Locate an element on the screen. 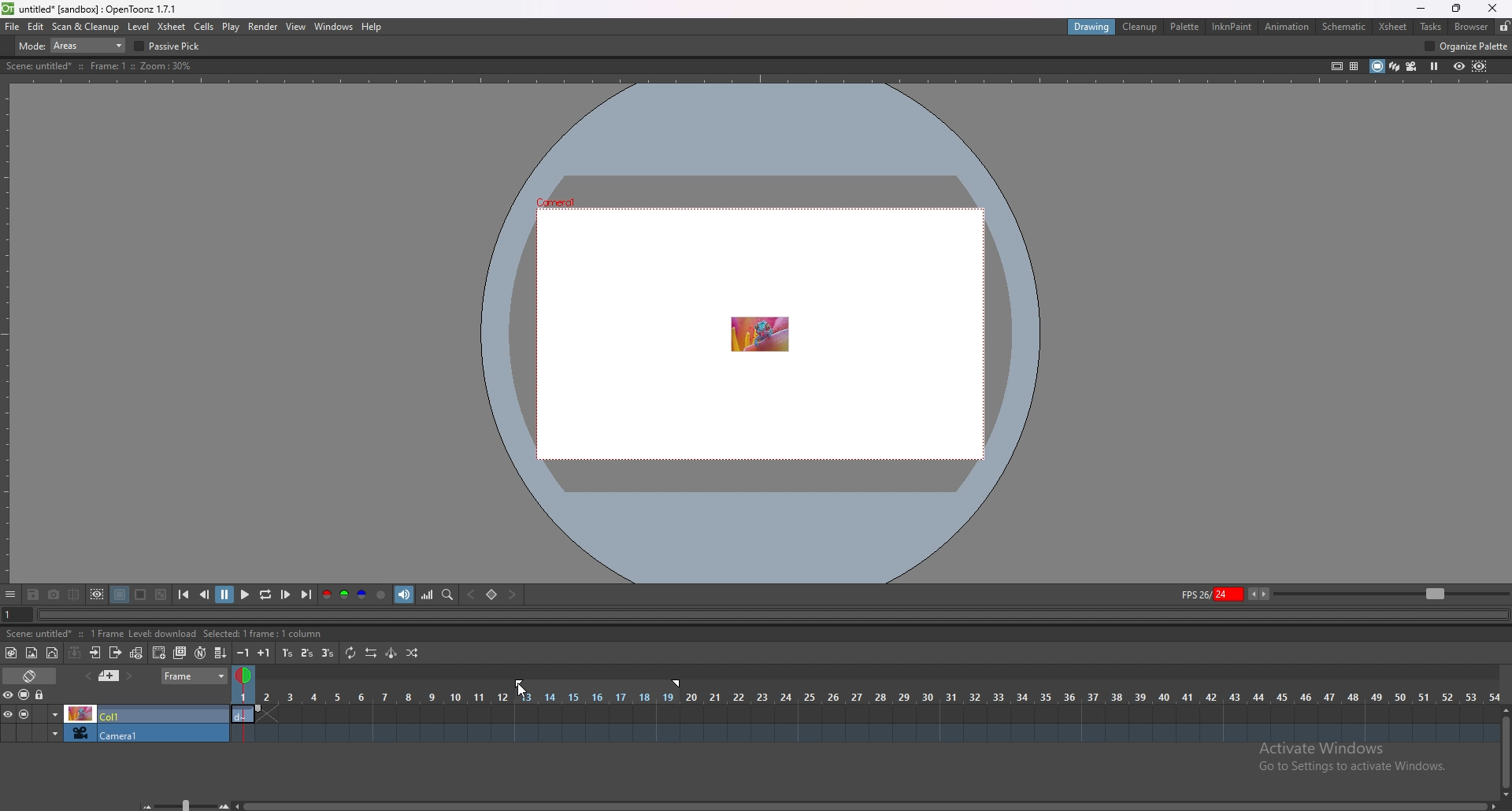 The image size is (1512, 811). minimize is located at coordinates (1421, 9).